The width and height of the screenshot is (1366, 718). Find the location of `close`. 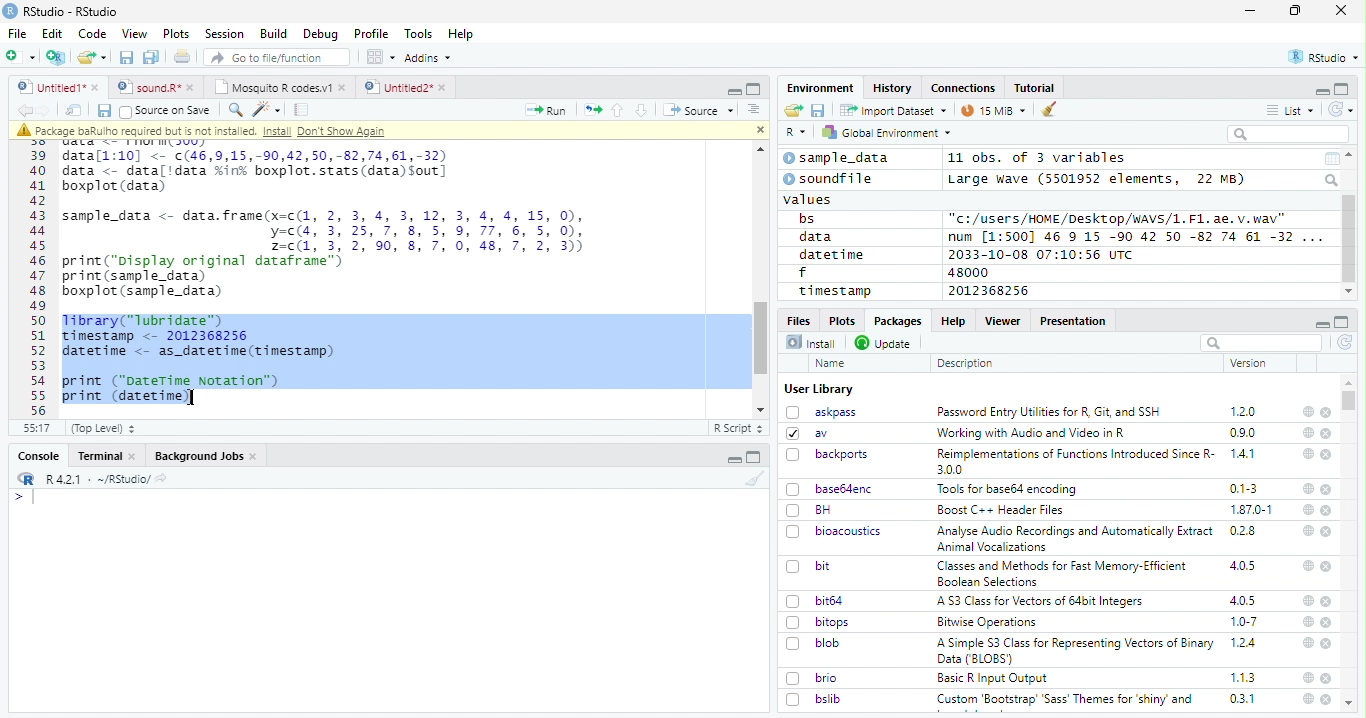

close is located at coordinates (1326, 489).